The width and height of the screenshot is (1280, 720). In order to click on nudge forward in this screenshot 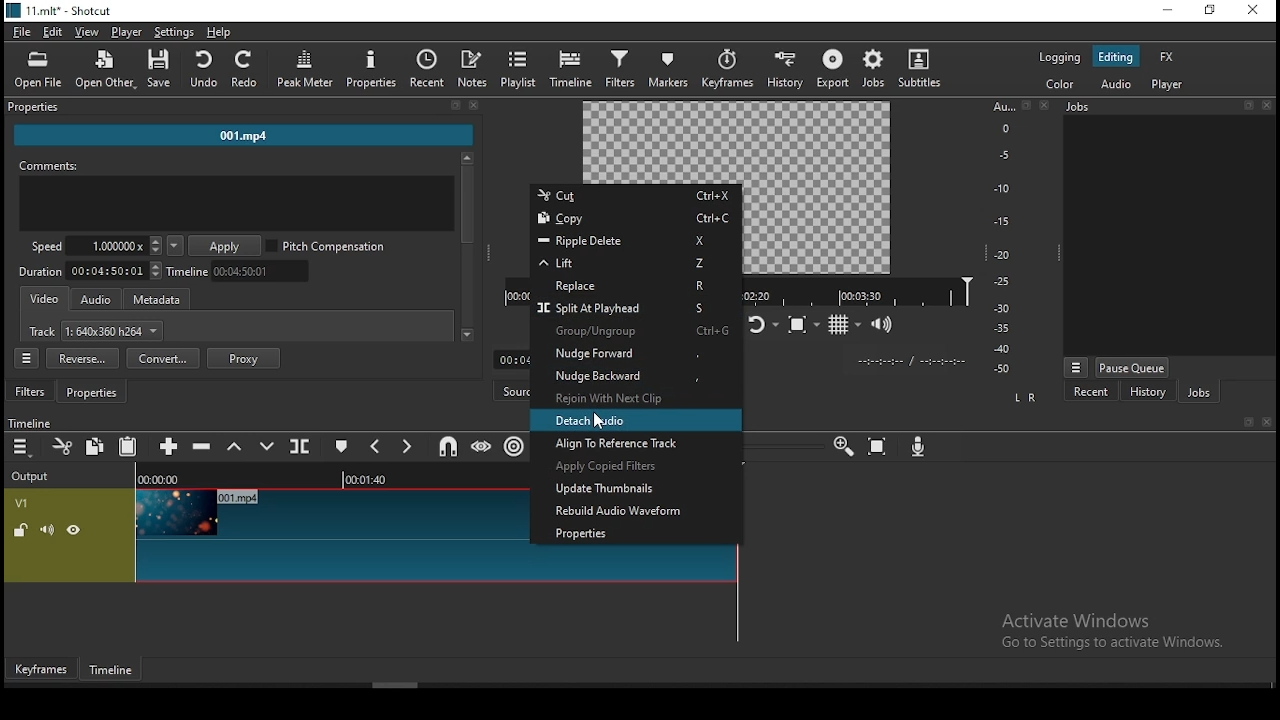, I will do `click(634, 354)`.